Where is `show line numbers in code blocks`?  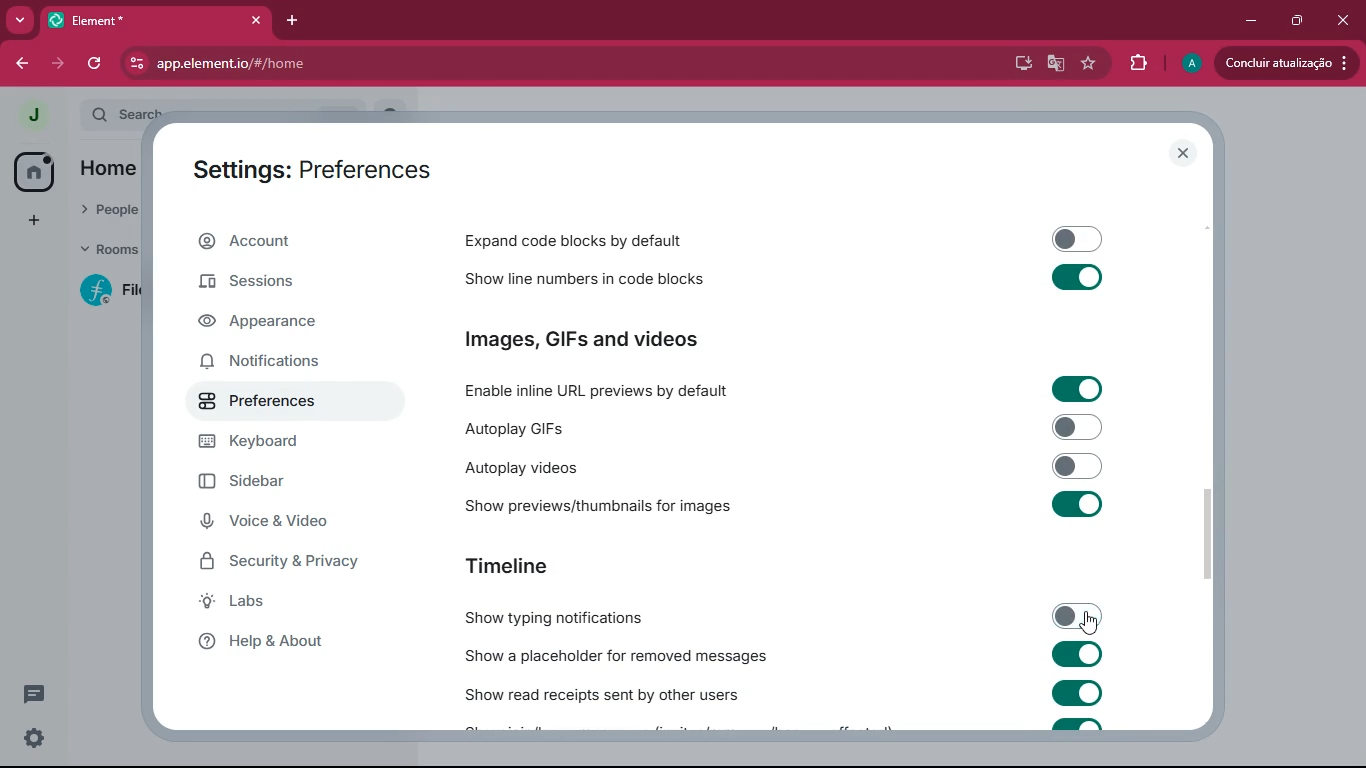 show line numbers in code blocks is located at coordinates (601, 280).